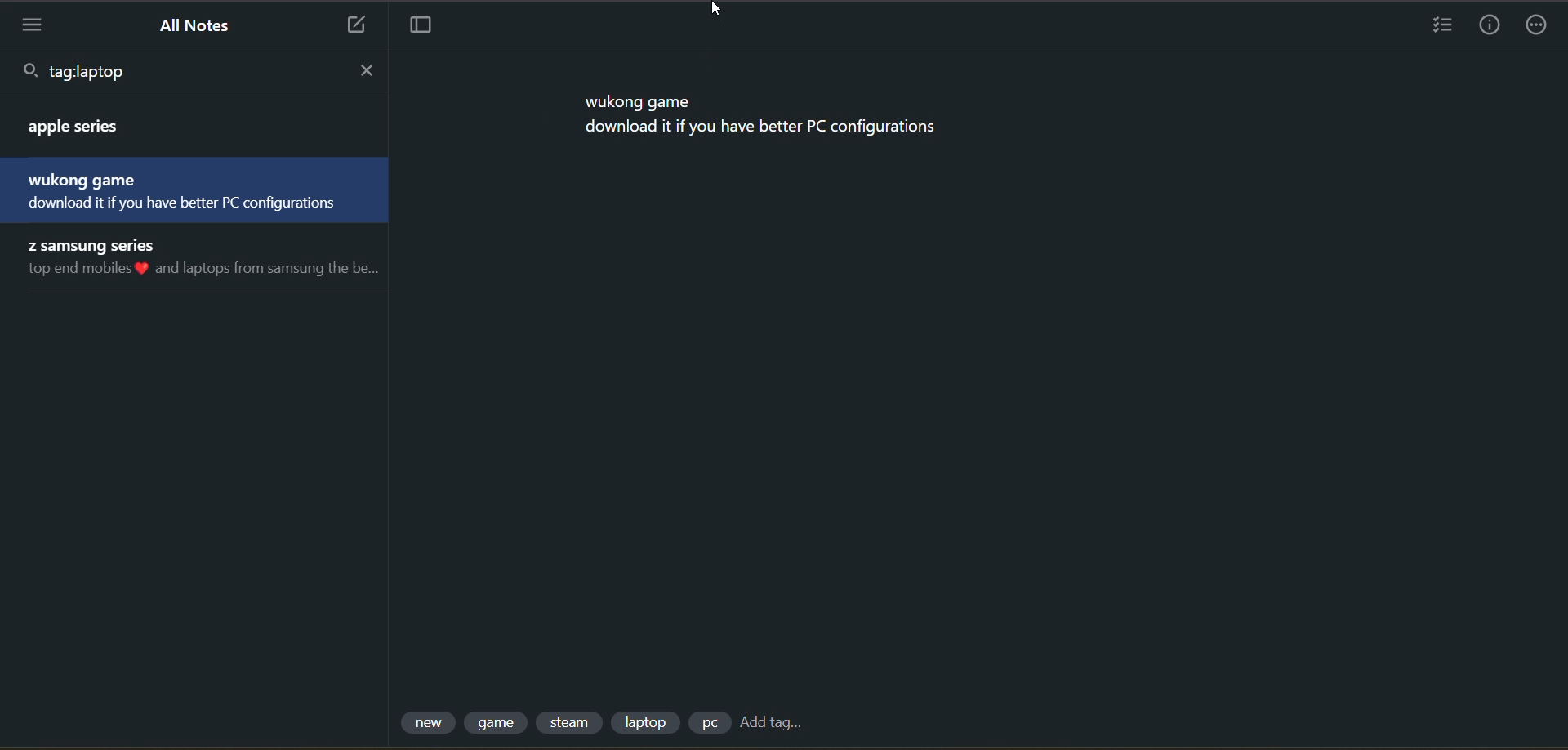 This screenshot has width=1568, height=750. What do you see at coordinates (1435, 26) in the screenshot?
I see `insert checklist` at bounding box center [1435, 26].